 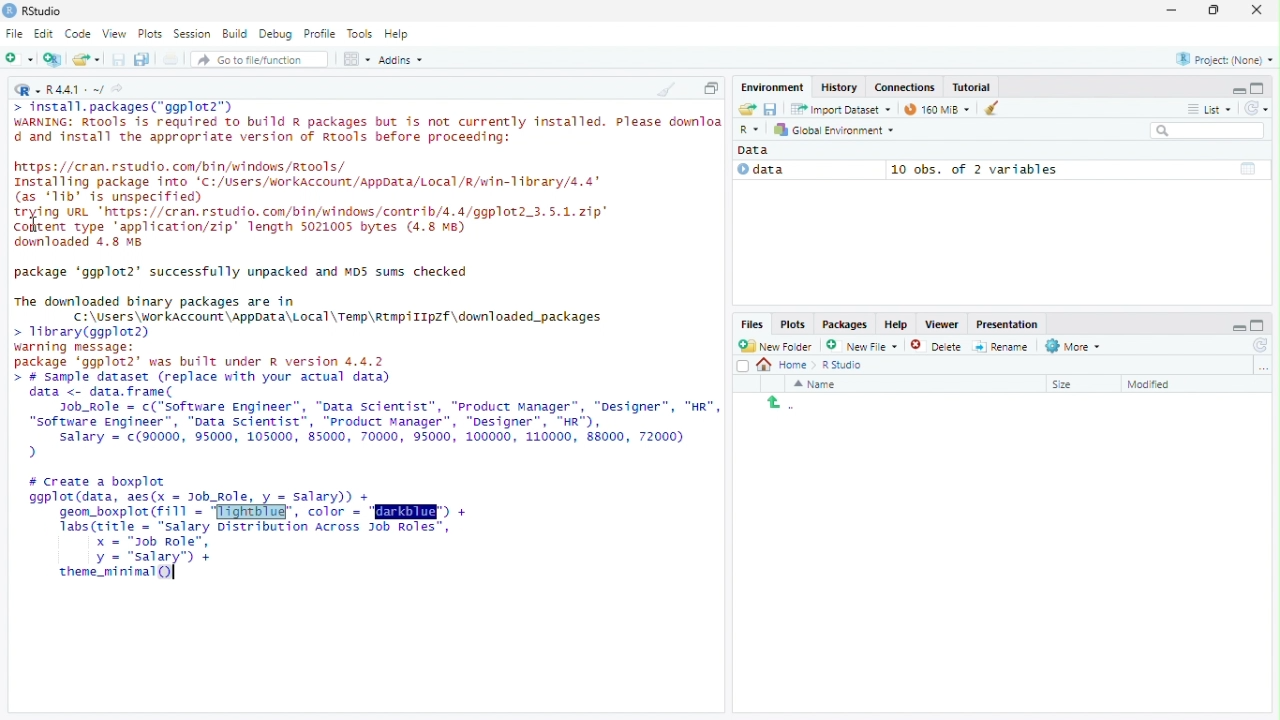 I want to click on View, so click(x=116, y=32).